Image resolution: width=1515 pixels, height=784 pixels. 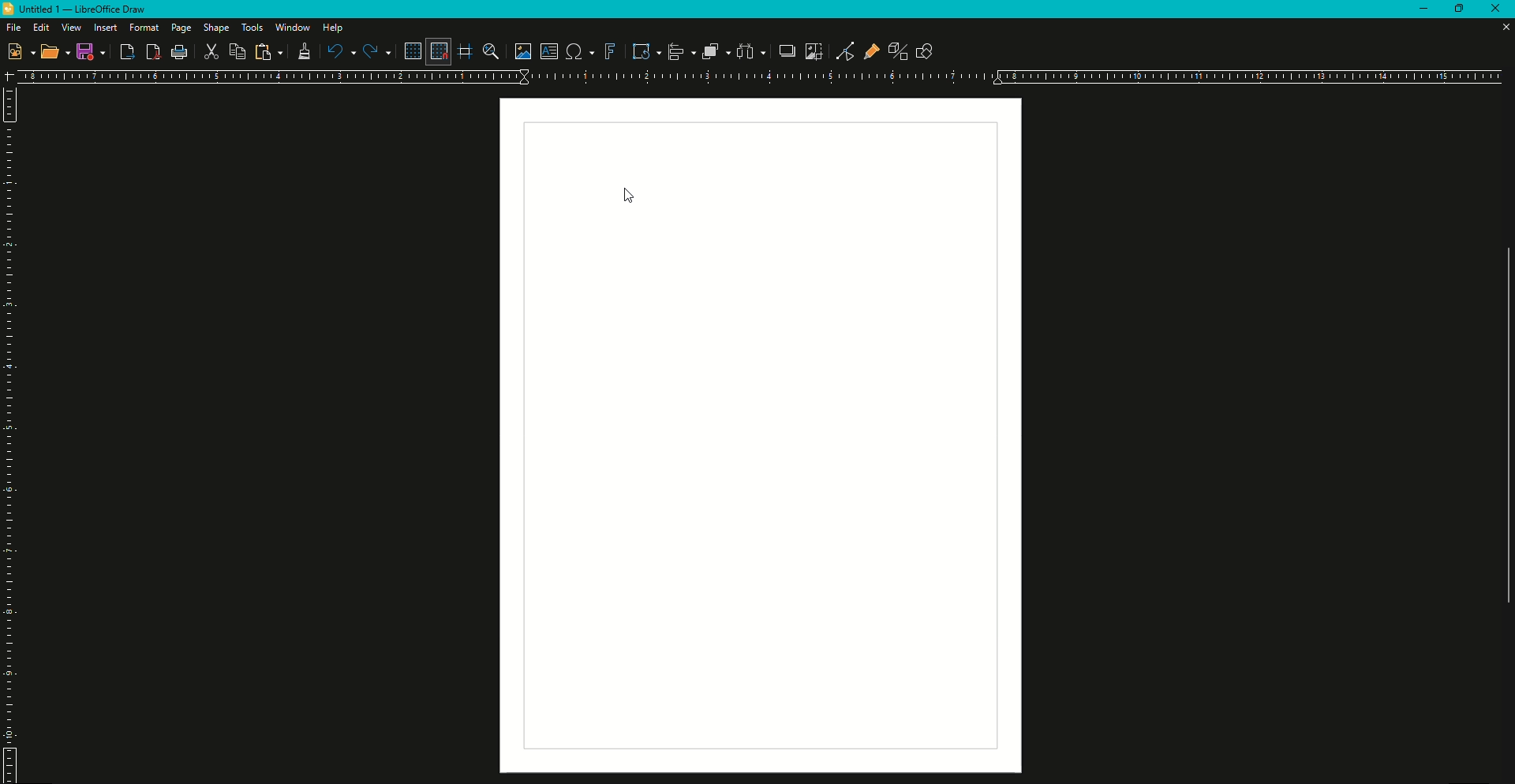 I want to click on PDF, so click(x=152, y=54).